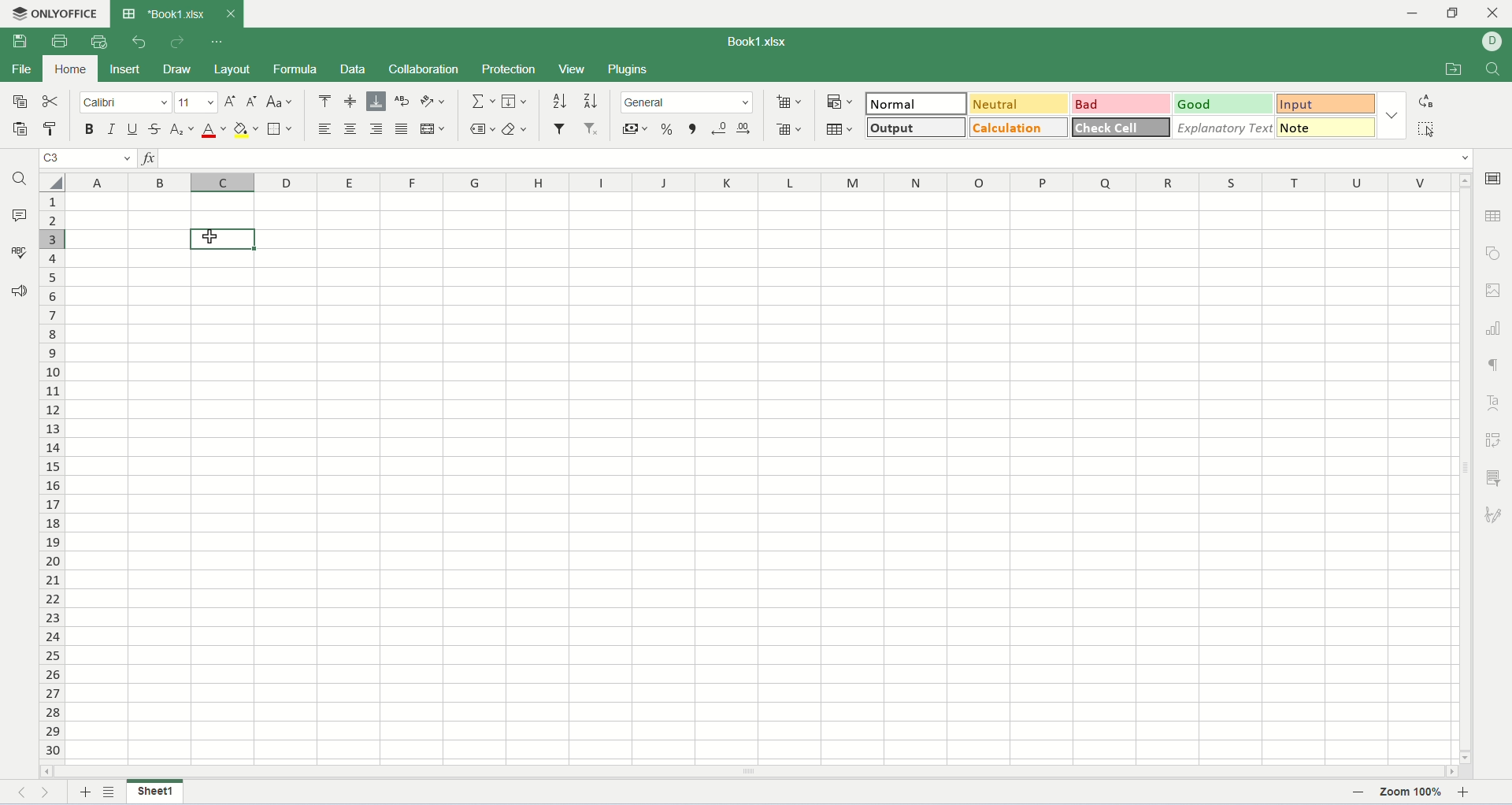 This screenshot has height=805, width=1512. I want to click on increase font size, so click(232, 100).